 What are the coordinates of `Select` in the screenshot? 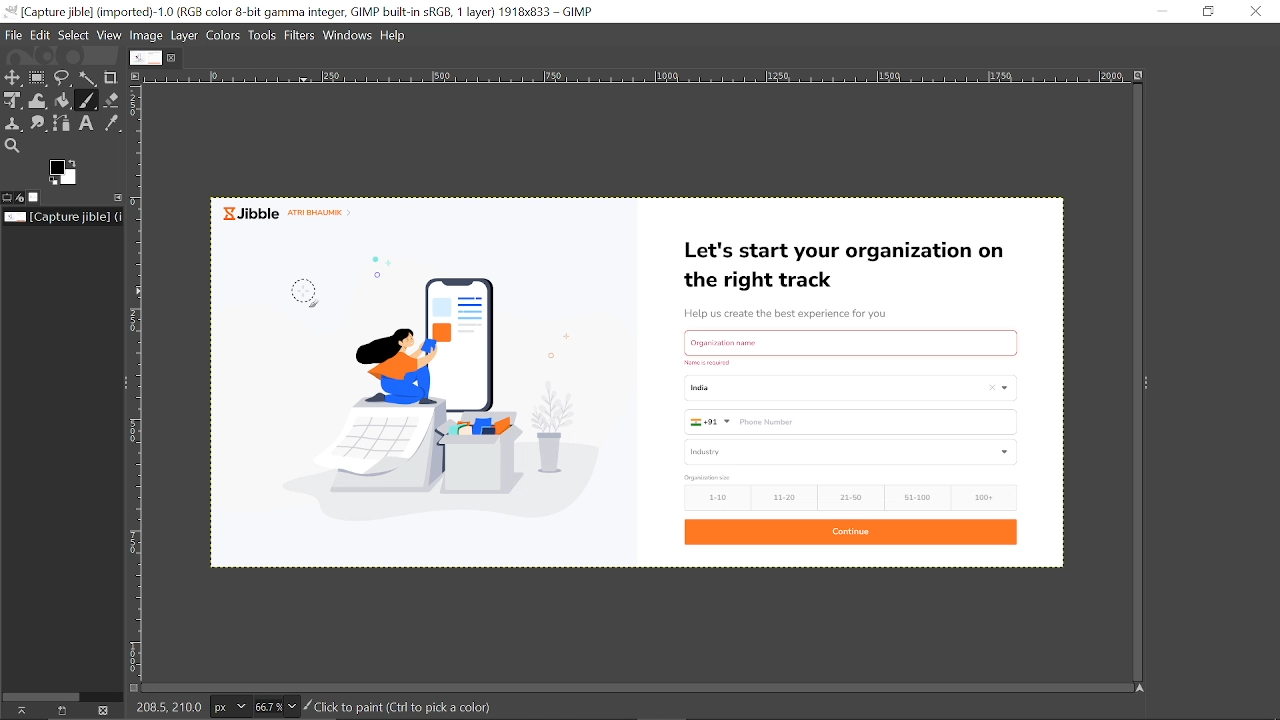 It's located at (74, 36).